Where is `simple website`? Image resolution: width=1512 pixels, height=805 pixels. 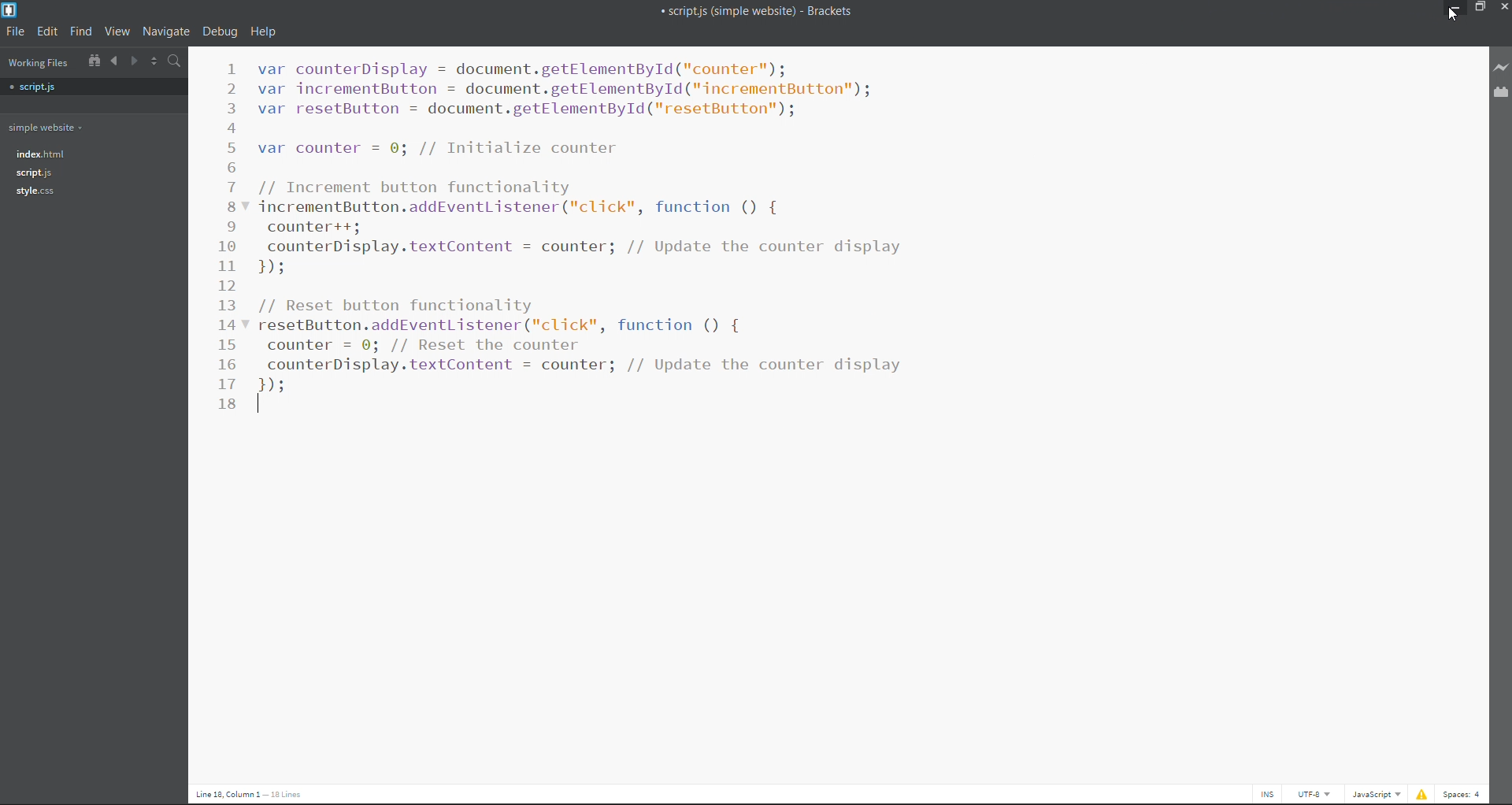
simple website is located at coordinates (46, 128).